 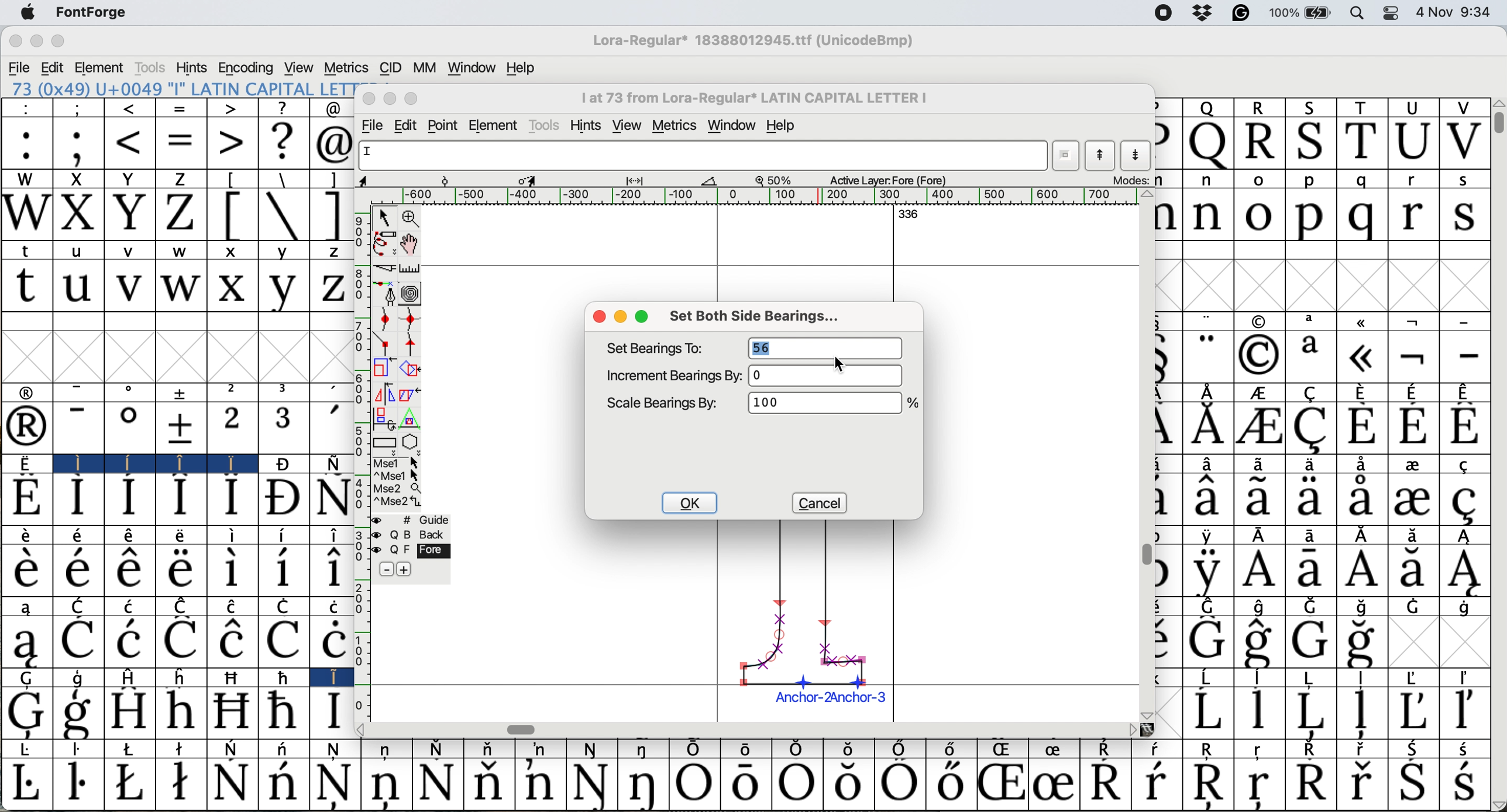 I want to click on Symbol, so click(x=27, y=428).